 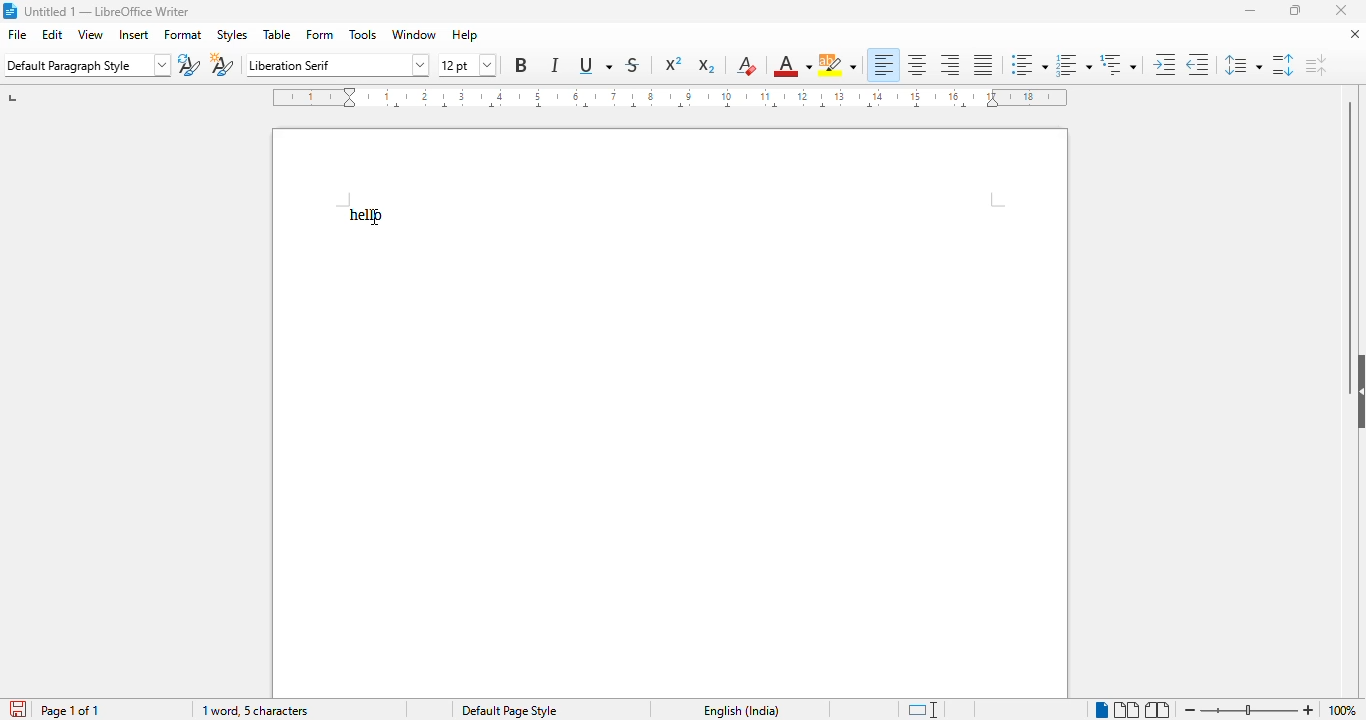 I want to click on toggle ordered list, so click(x=1074, y=64).